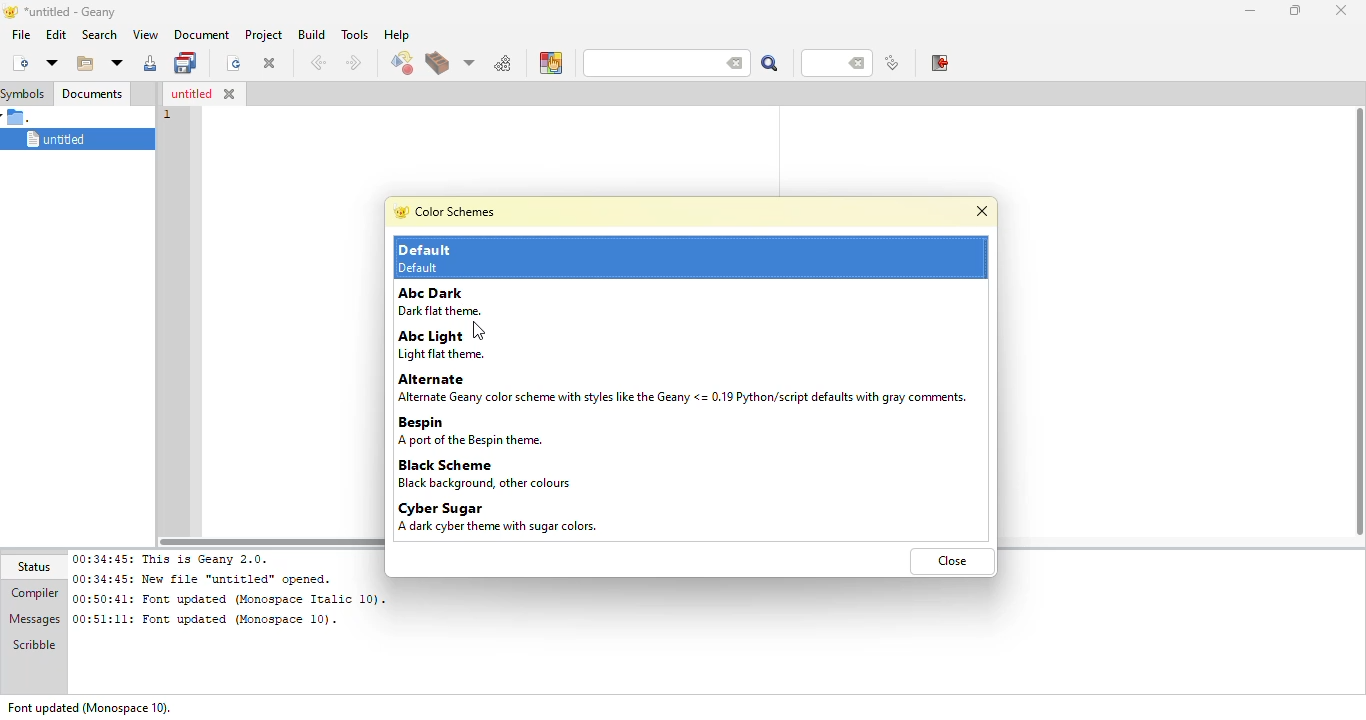  Describe the element at coordinates (83, 63) in the screenshot. I see `open existing` at that location.